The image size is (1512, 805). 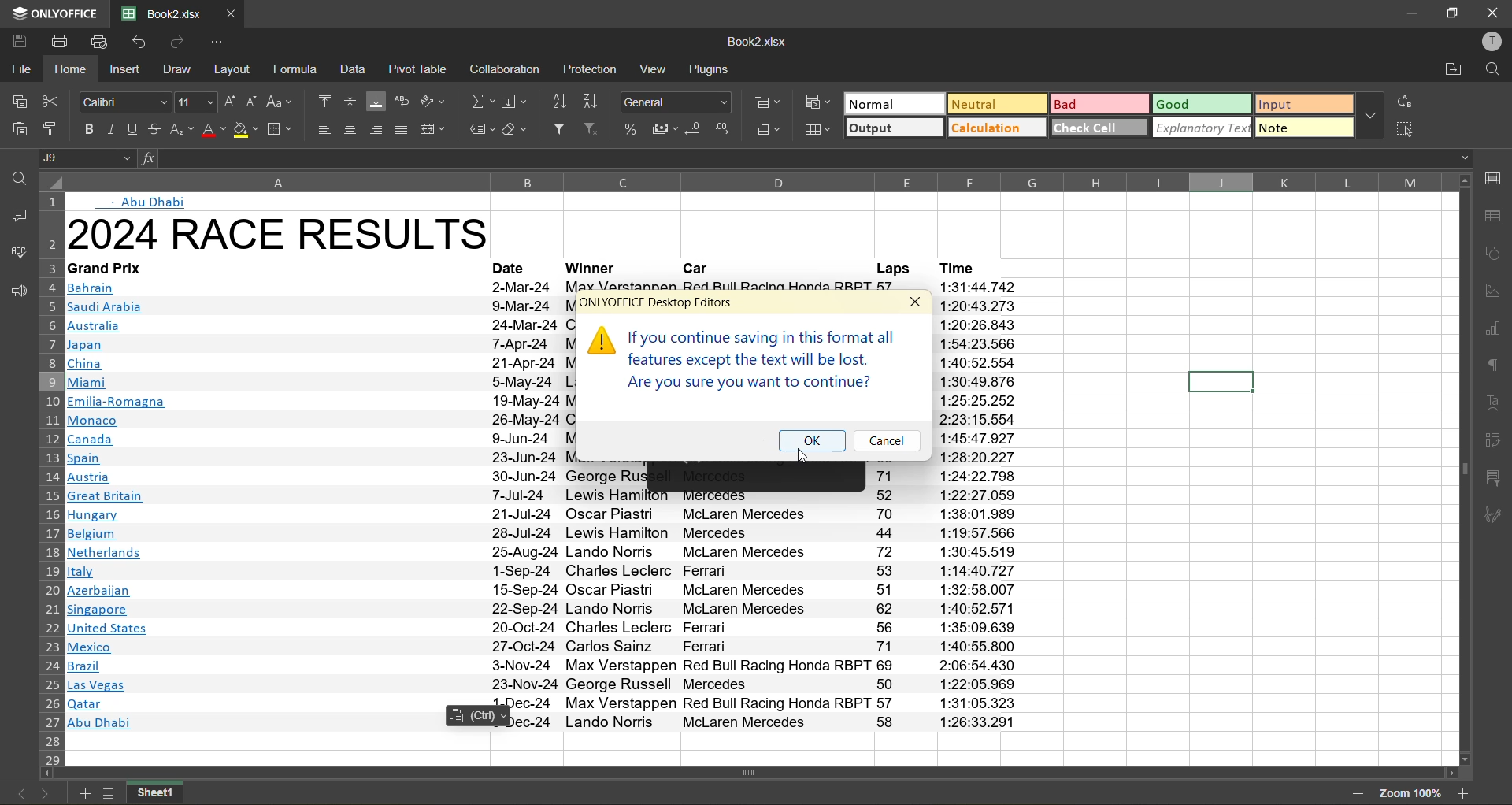 What do you see at coordinates (1497, 518) in the screenshot?
I see `signature` at bounding box center [1497, 518].